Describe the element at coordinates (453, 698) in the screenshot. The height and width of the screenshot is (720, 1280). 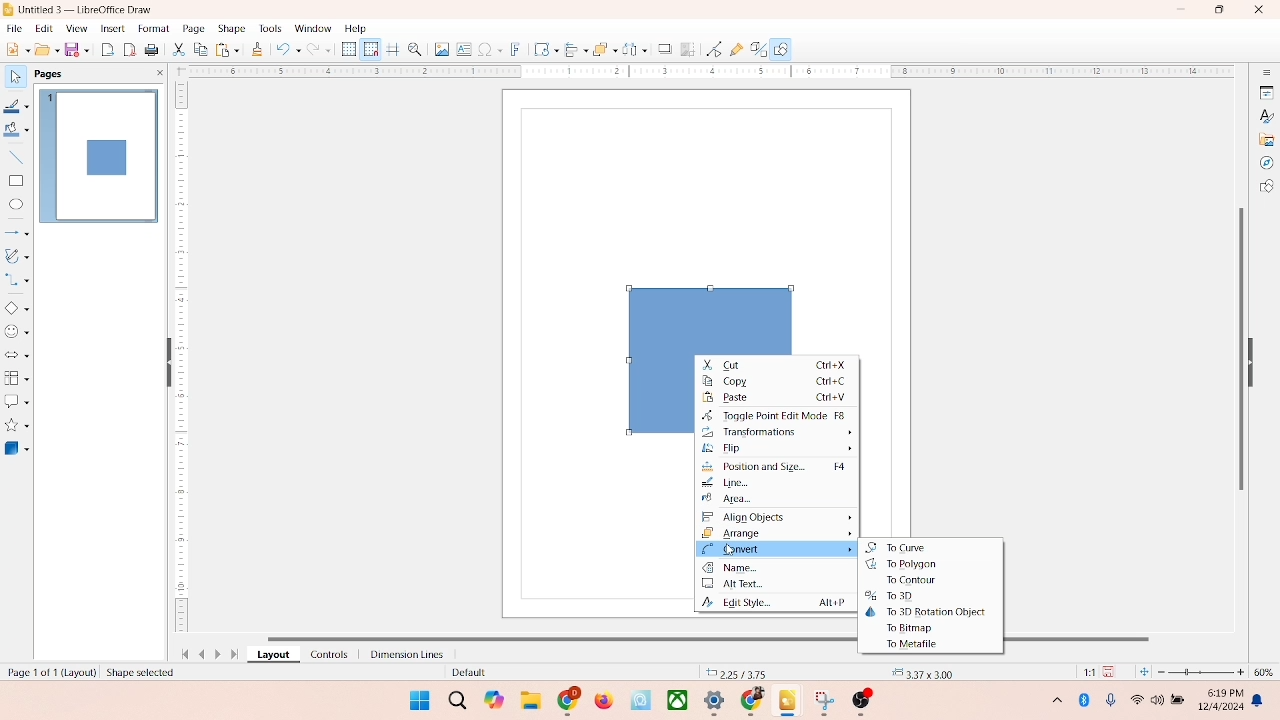
I see `search` at that location.